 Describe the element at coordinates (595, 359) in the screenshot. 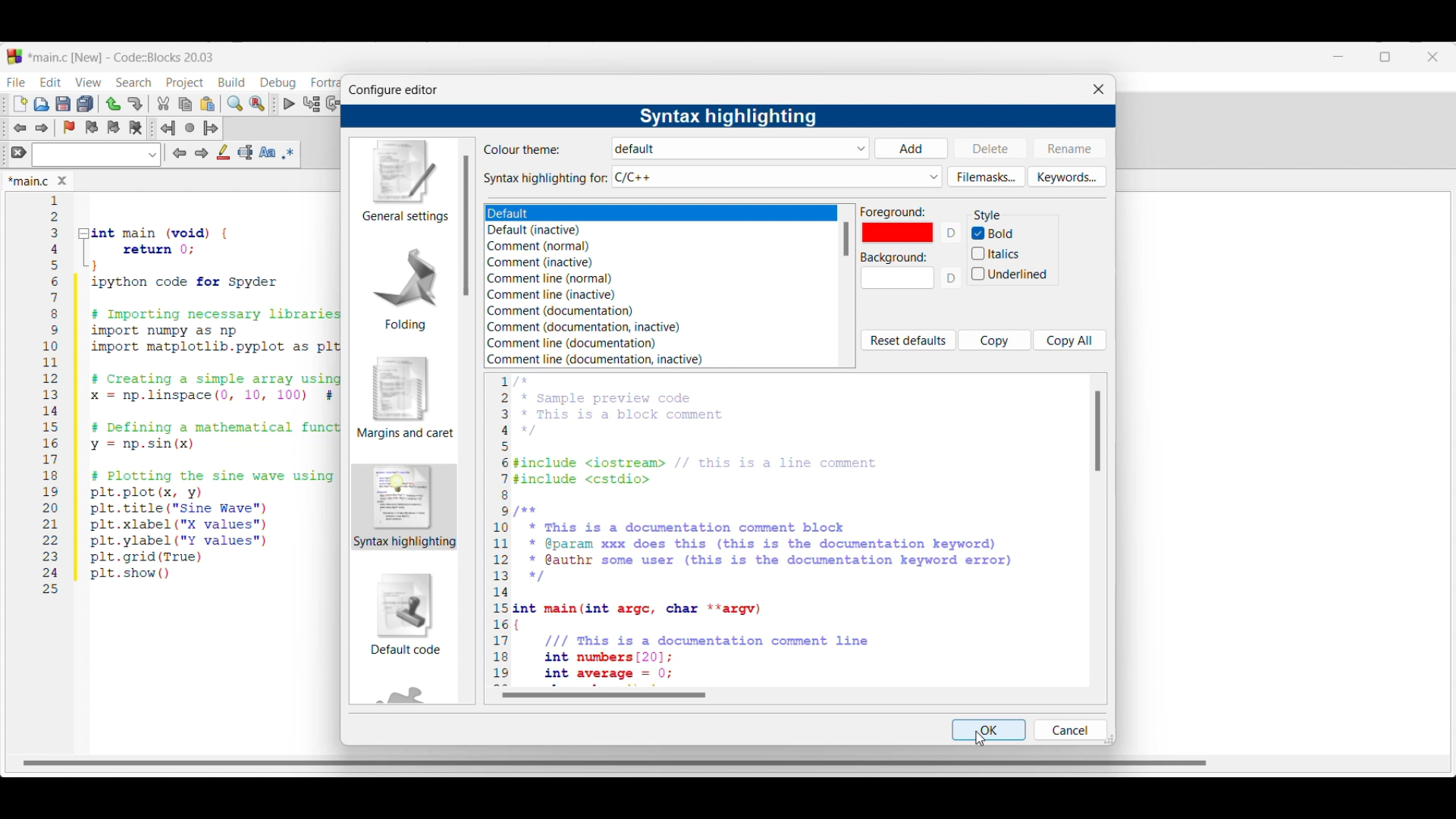

I see `Comment line (documentation, inactive` at that location.